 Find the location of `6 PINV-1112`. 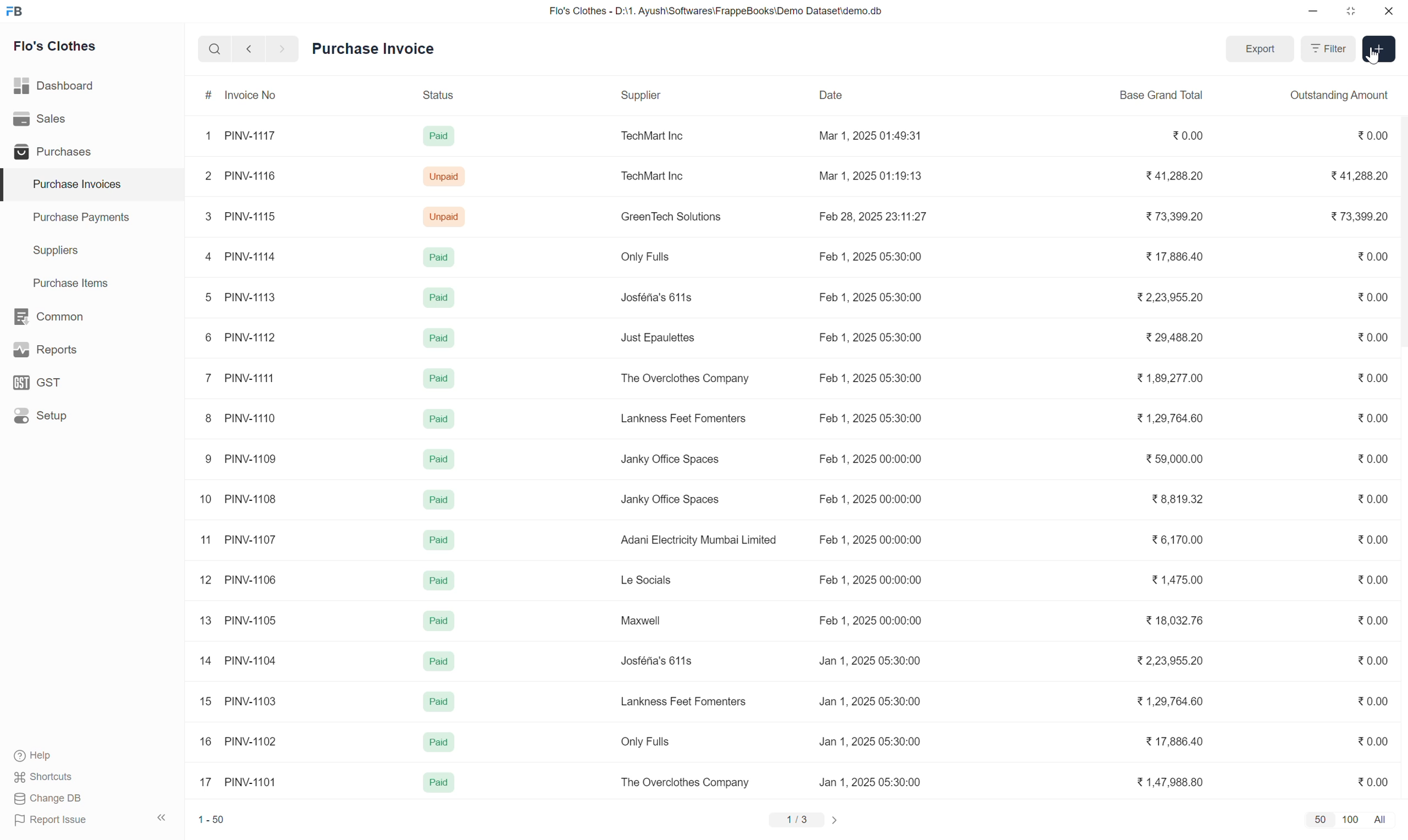

6 PINV-1112 is located at coordinates (241, 337).